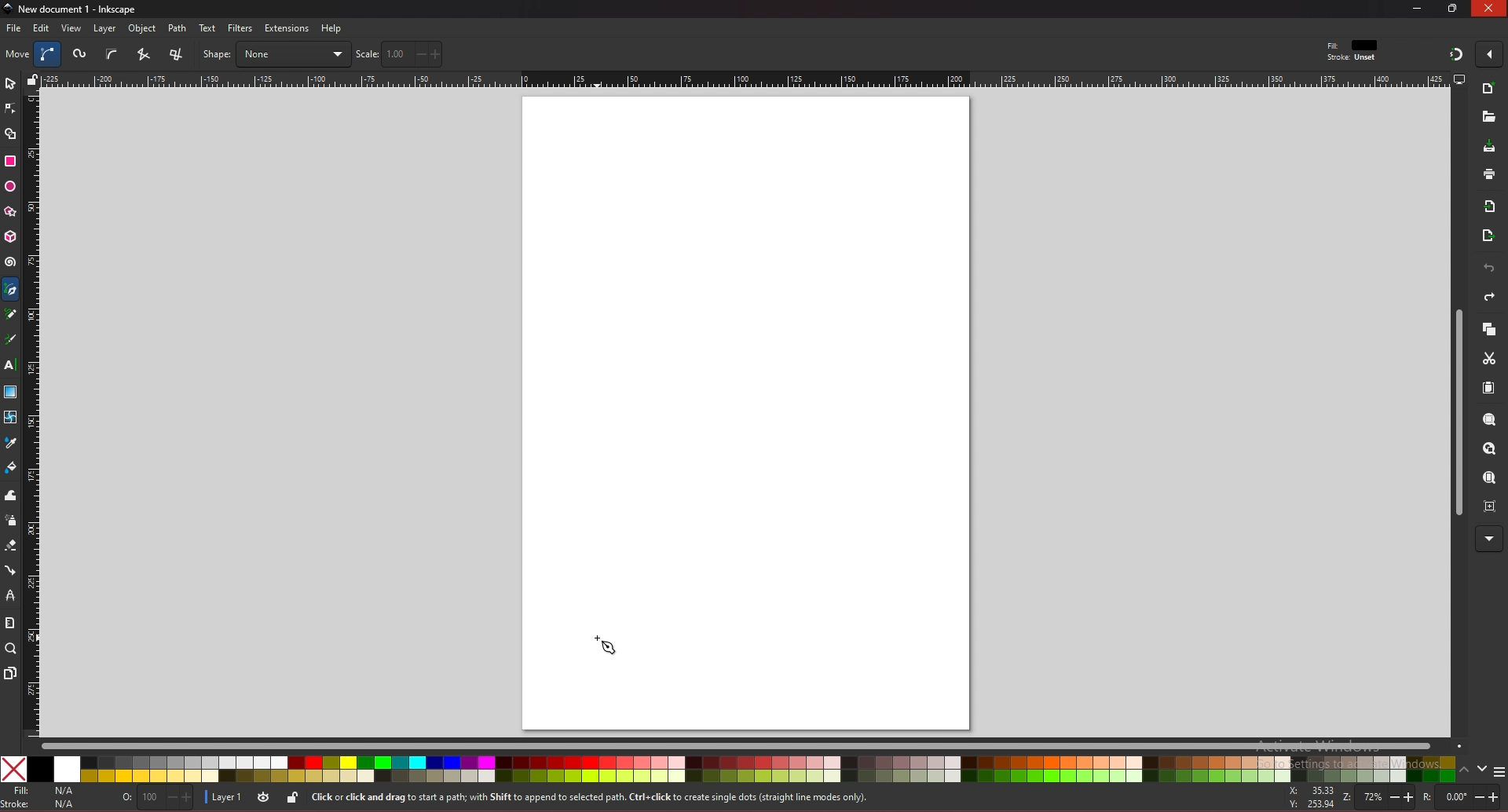  I want to click on rotate, so click(1459, 797).